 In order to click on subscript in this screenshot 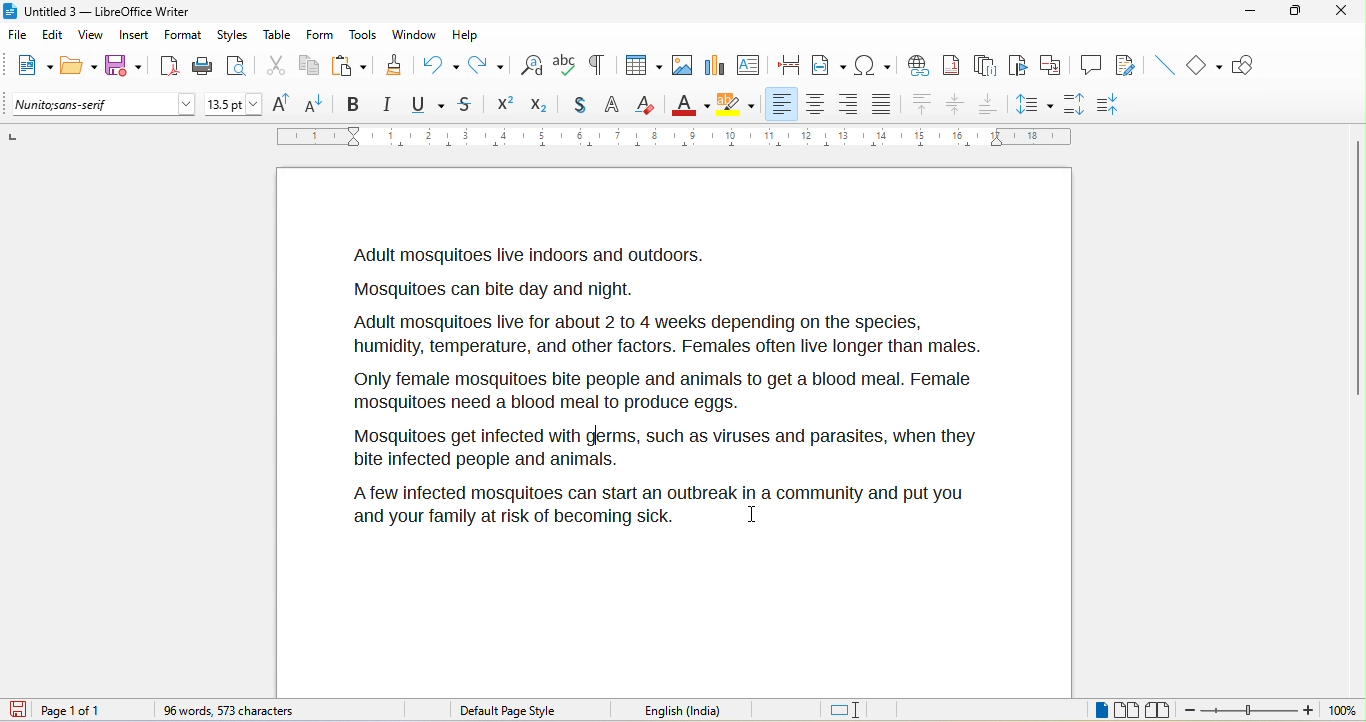, I will do `click(537, 105)`.